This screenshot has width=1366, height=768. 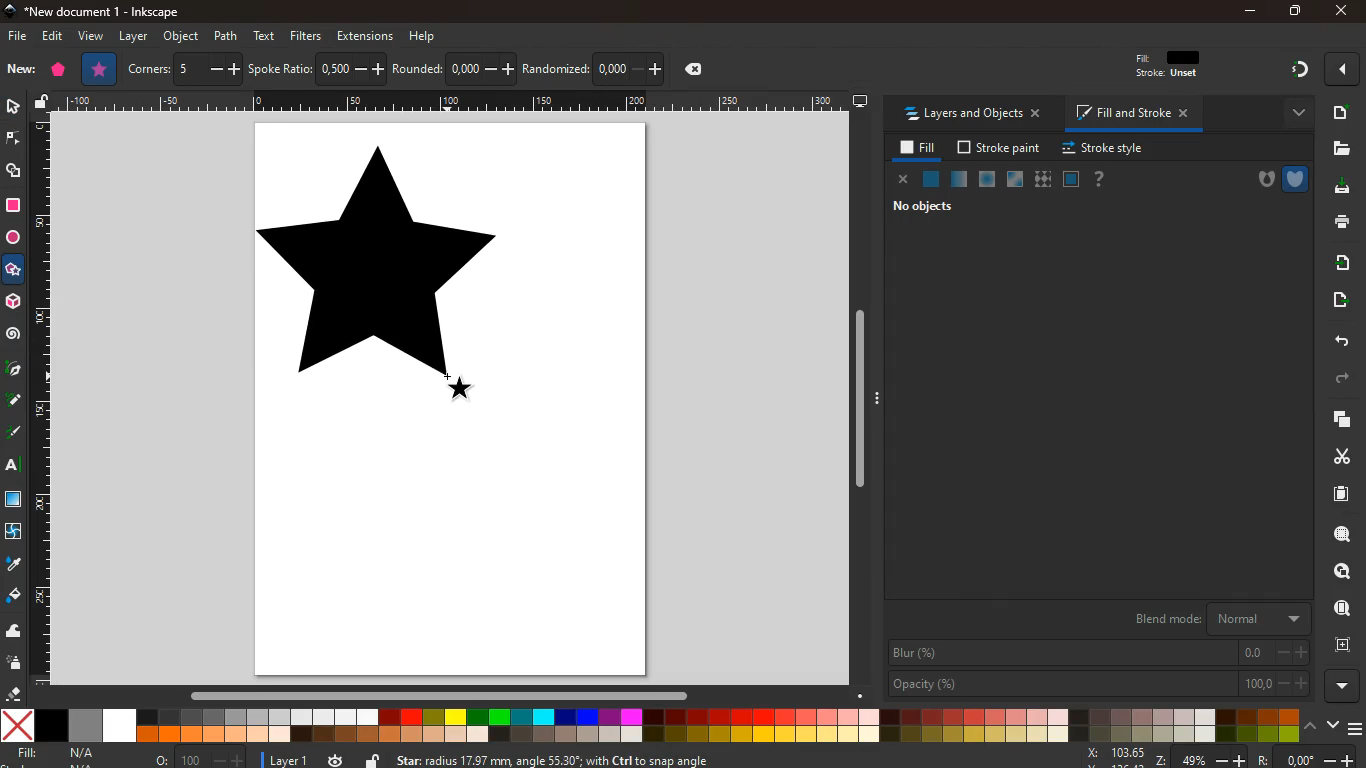 What do you see at coordinates (1000, 146) in the screenshot?
I see `stroke paint` at bounding box center [1000, 146].